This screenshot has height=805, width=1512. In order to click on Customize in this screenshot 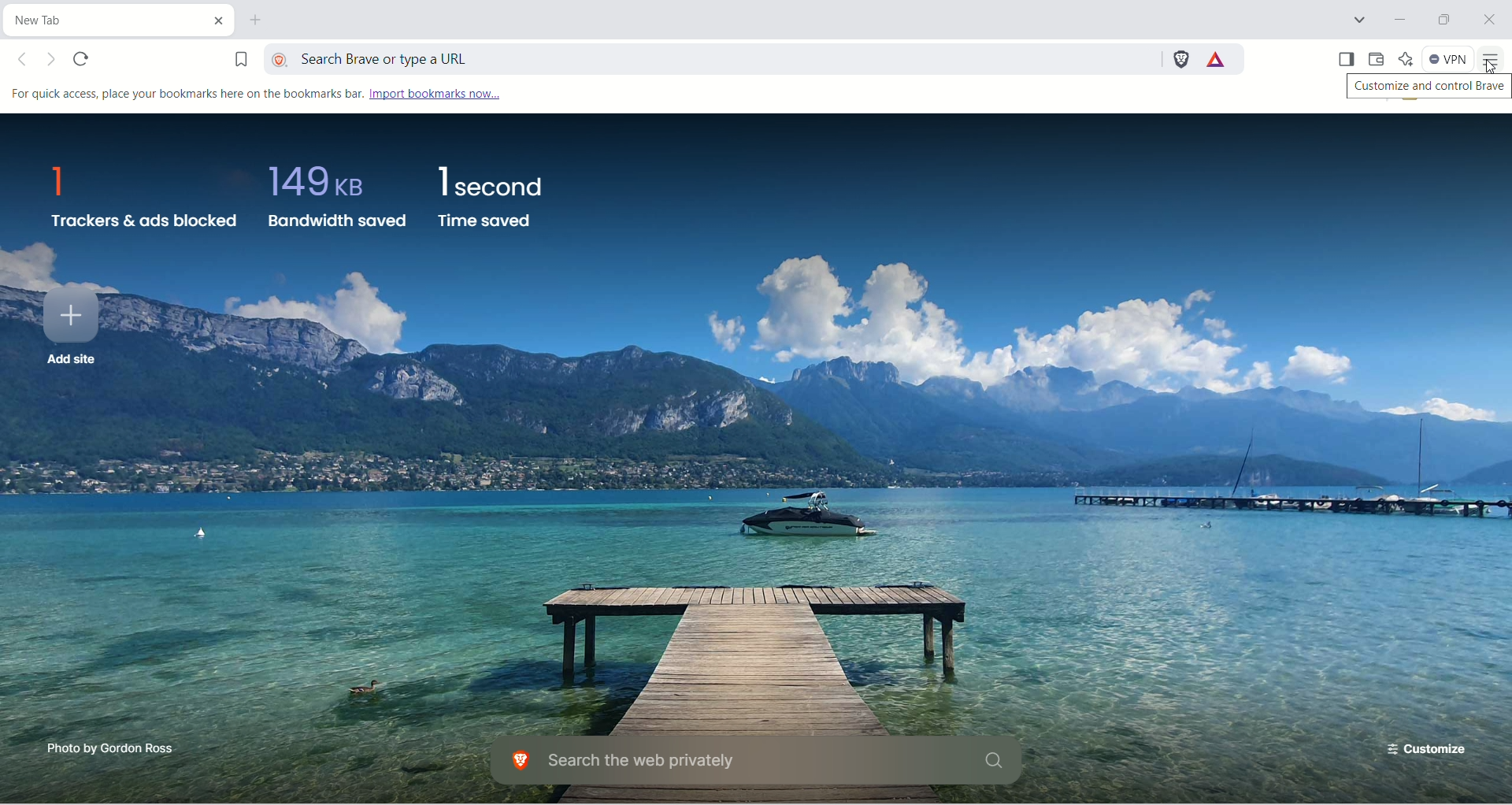, I will do `click(1429, 744)`.